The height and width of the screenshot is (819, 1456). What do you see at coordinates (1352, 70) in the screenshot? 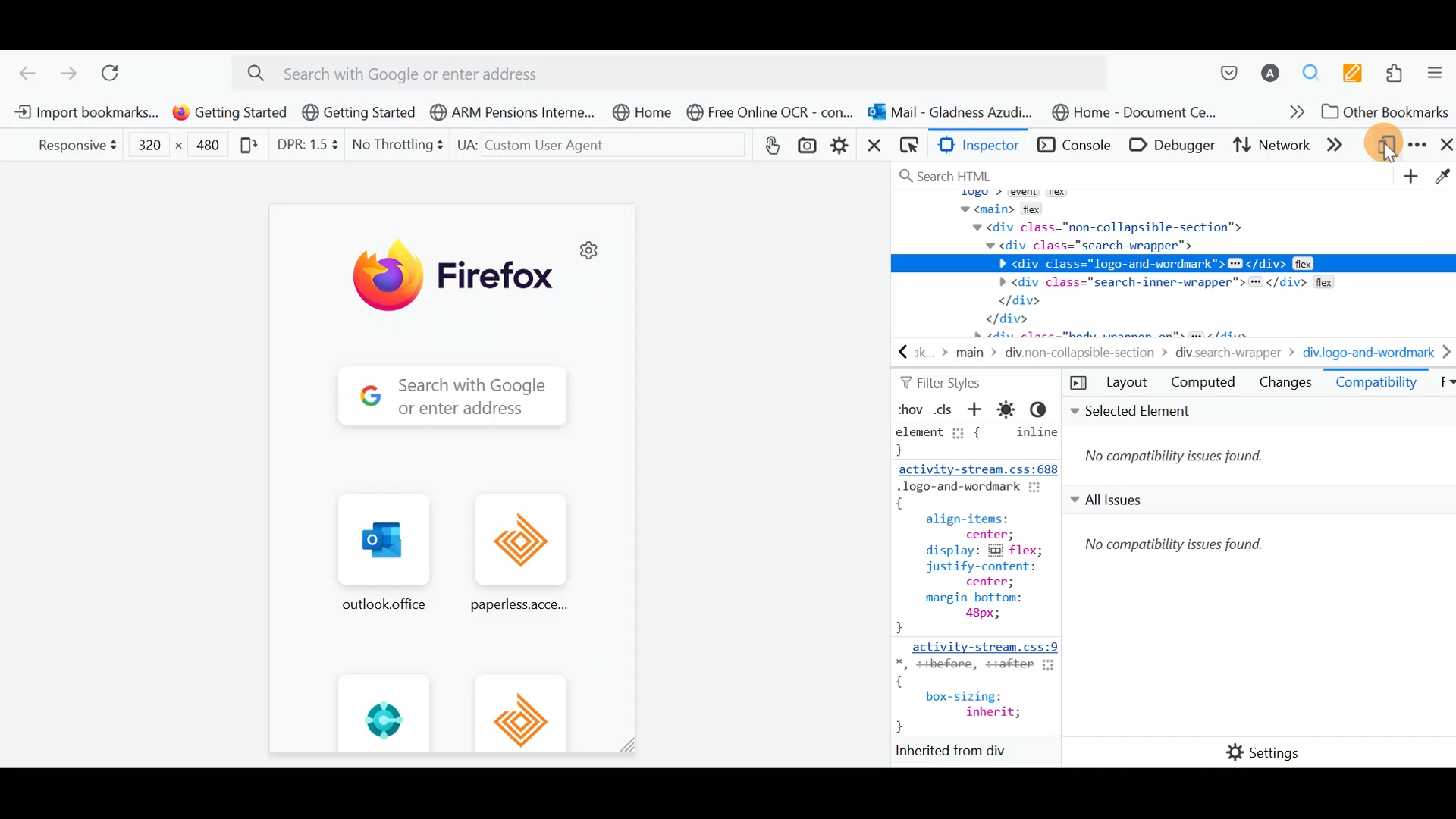
I see `Multi keywords highlighter` at bounding box center [1352, 70].